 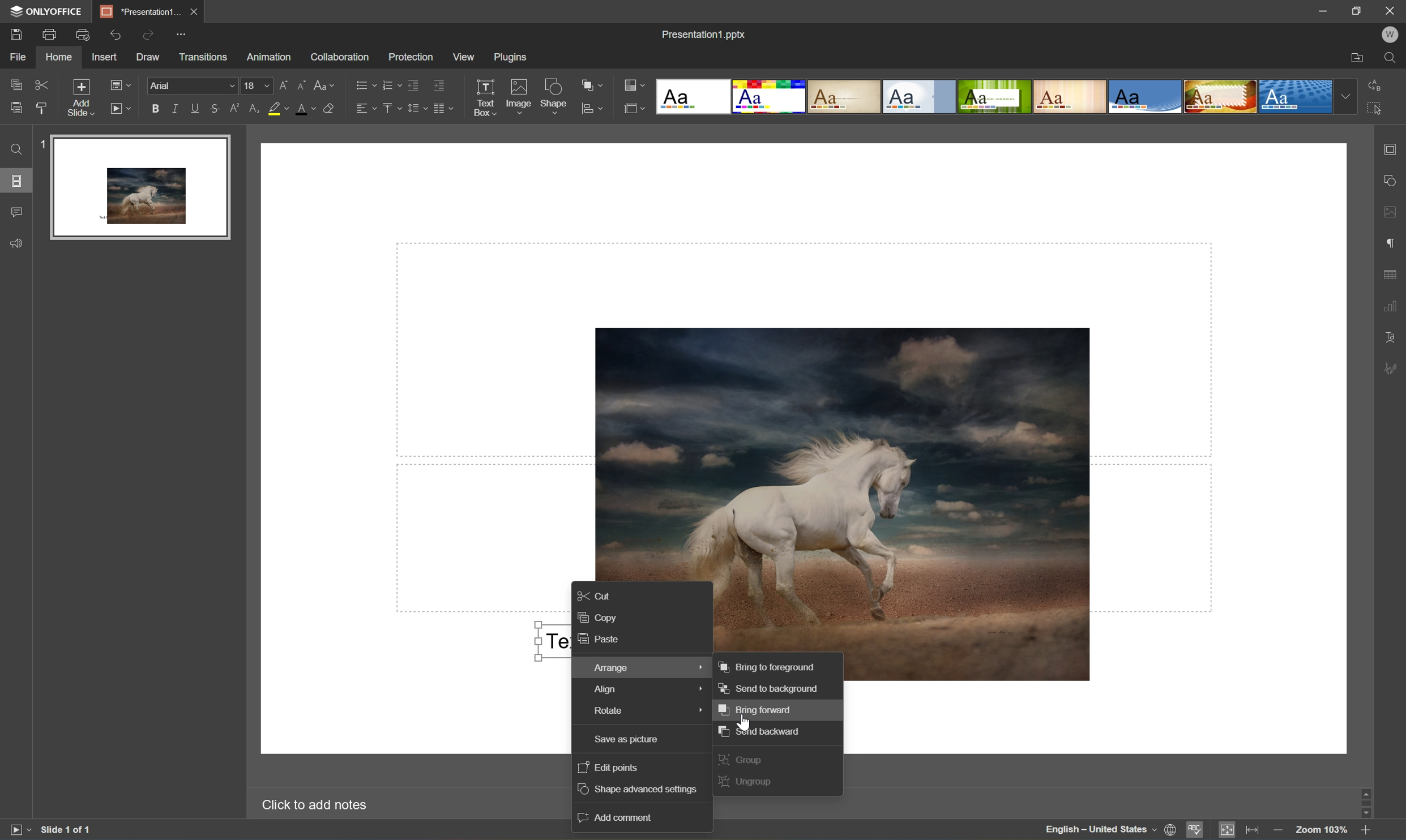 I want to click on Subscript, so click(x=237, y=109).